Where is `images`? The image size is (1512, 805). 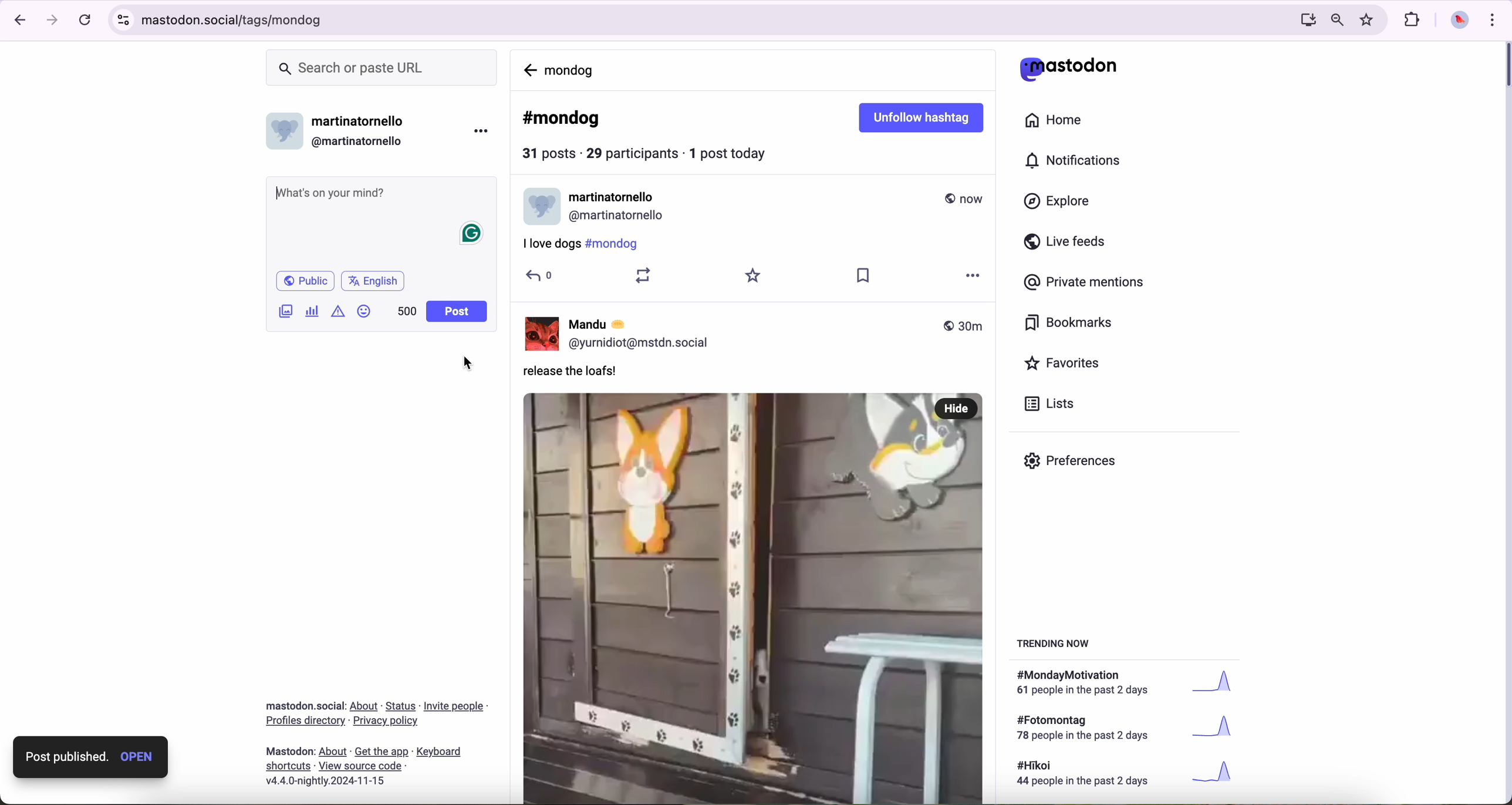
images is located at coordinates (286, 312).